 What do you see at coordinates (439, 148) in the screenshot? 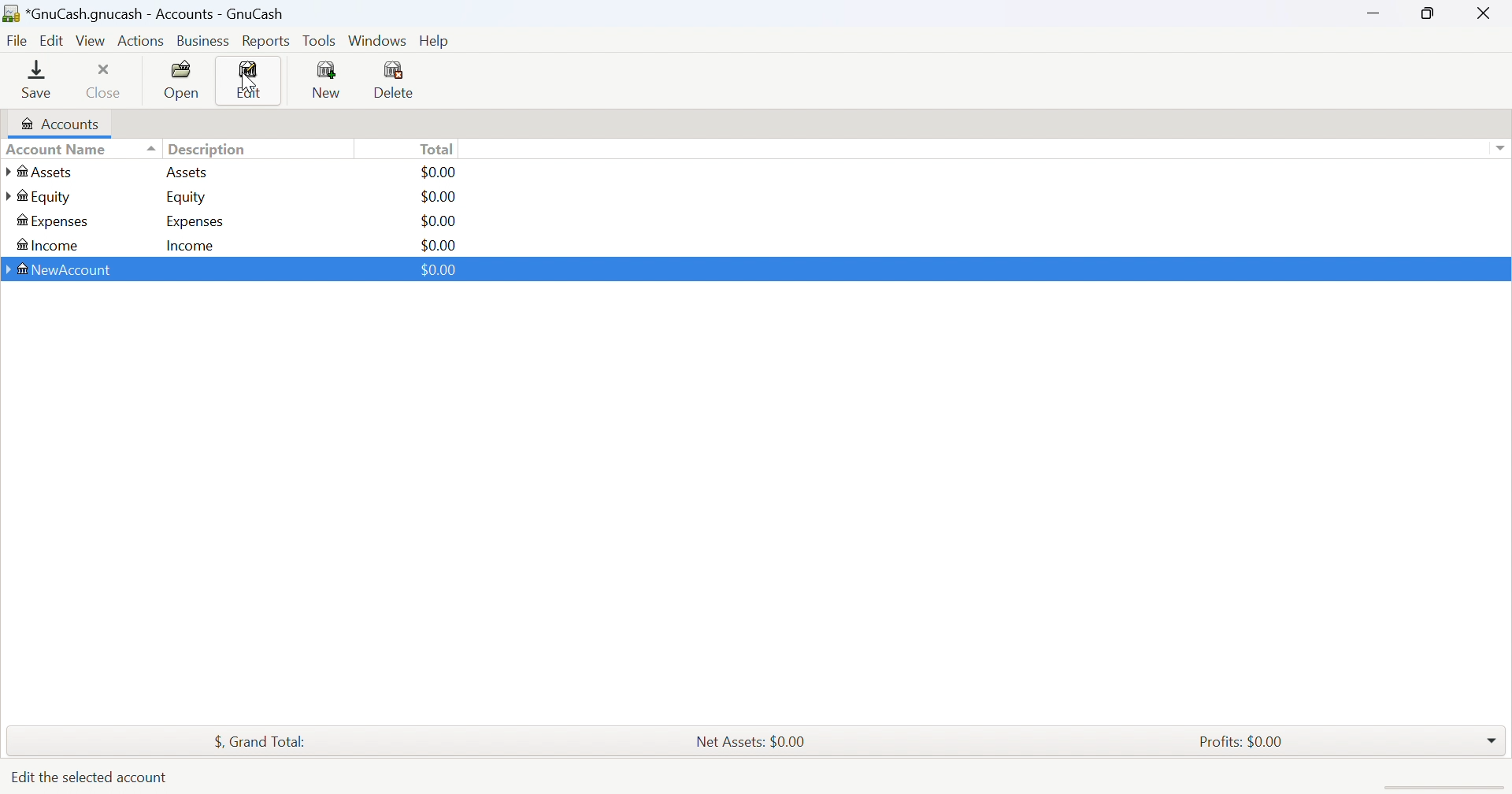
I see `Total` at bounding box center [439, 148].